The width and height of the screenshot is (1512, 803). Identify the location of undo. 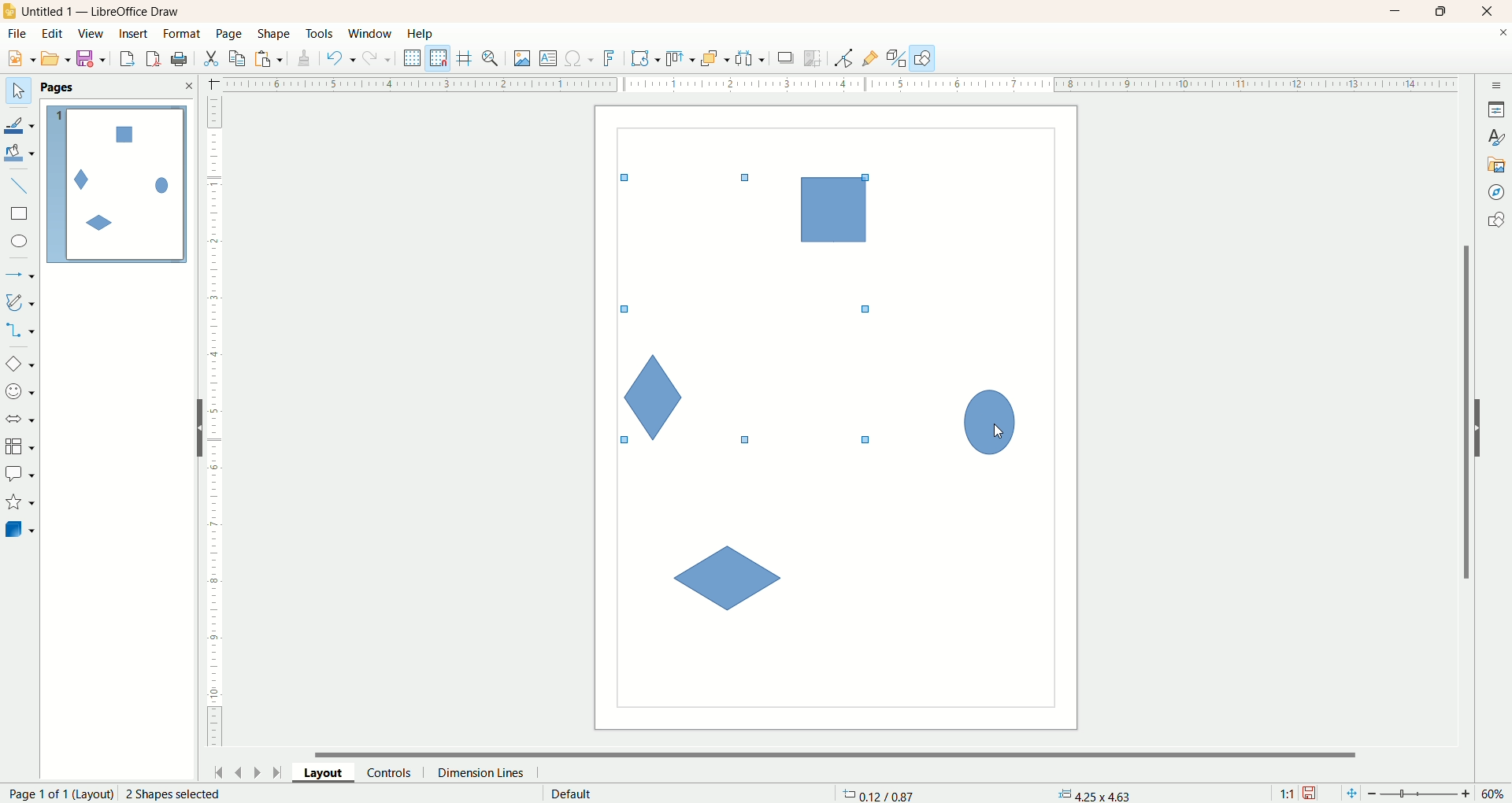
(341, 58).